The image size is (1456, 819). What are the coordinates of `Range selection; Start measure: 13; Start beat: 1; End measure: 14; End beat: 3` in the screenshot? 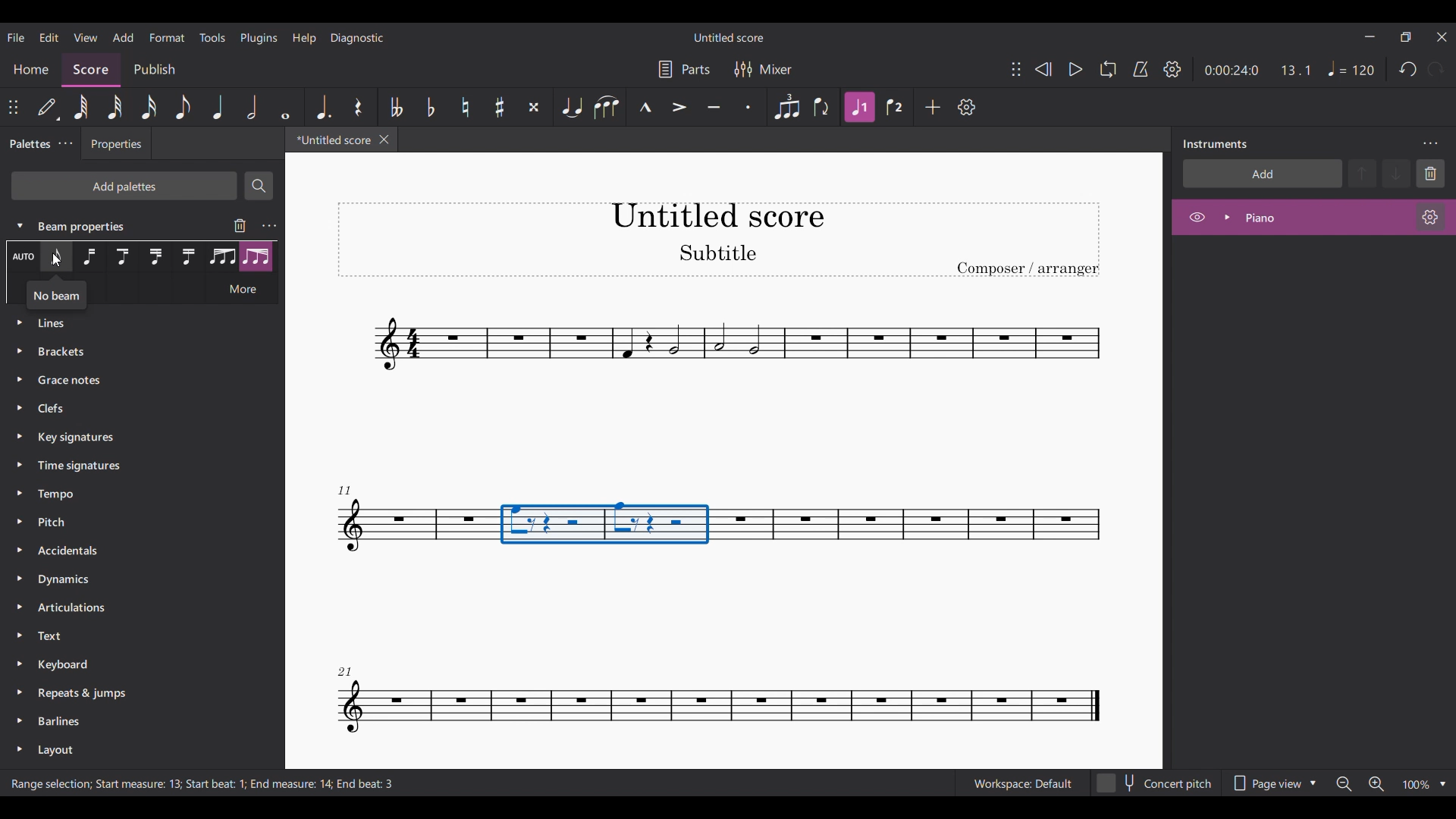 It's located at (217, 784).